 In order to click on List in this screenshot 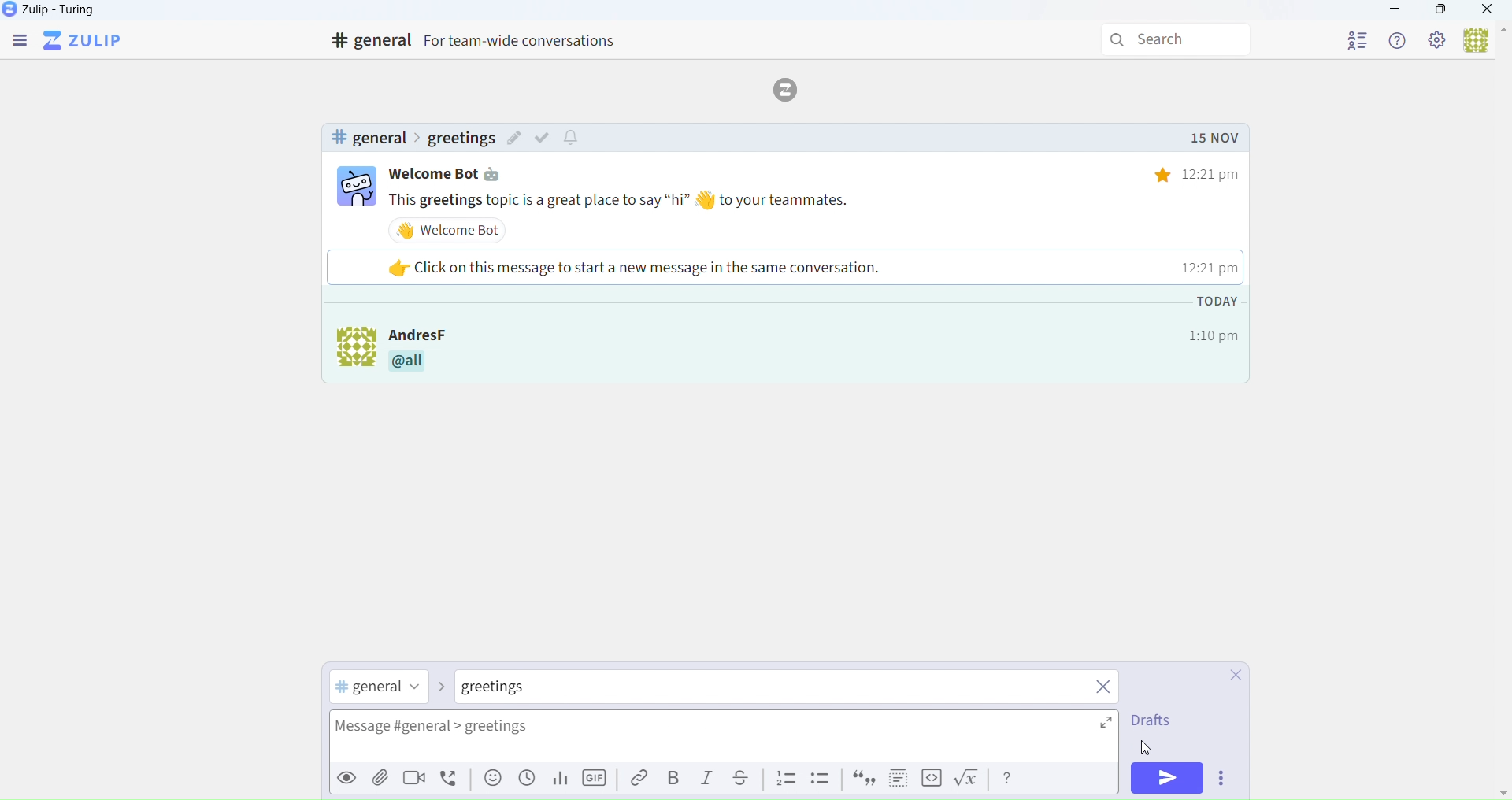, I will do `click(786, 779)`.